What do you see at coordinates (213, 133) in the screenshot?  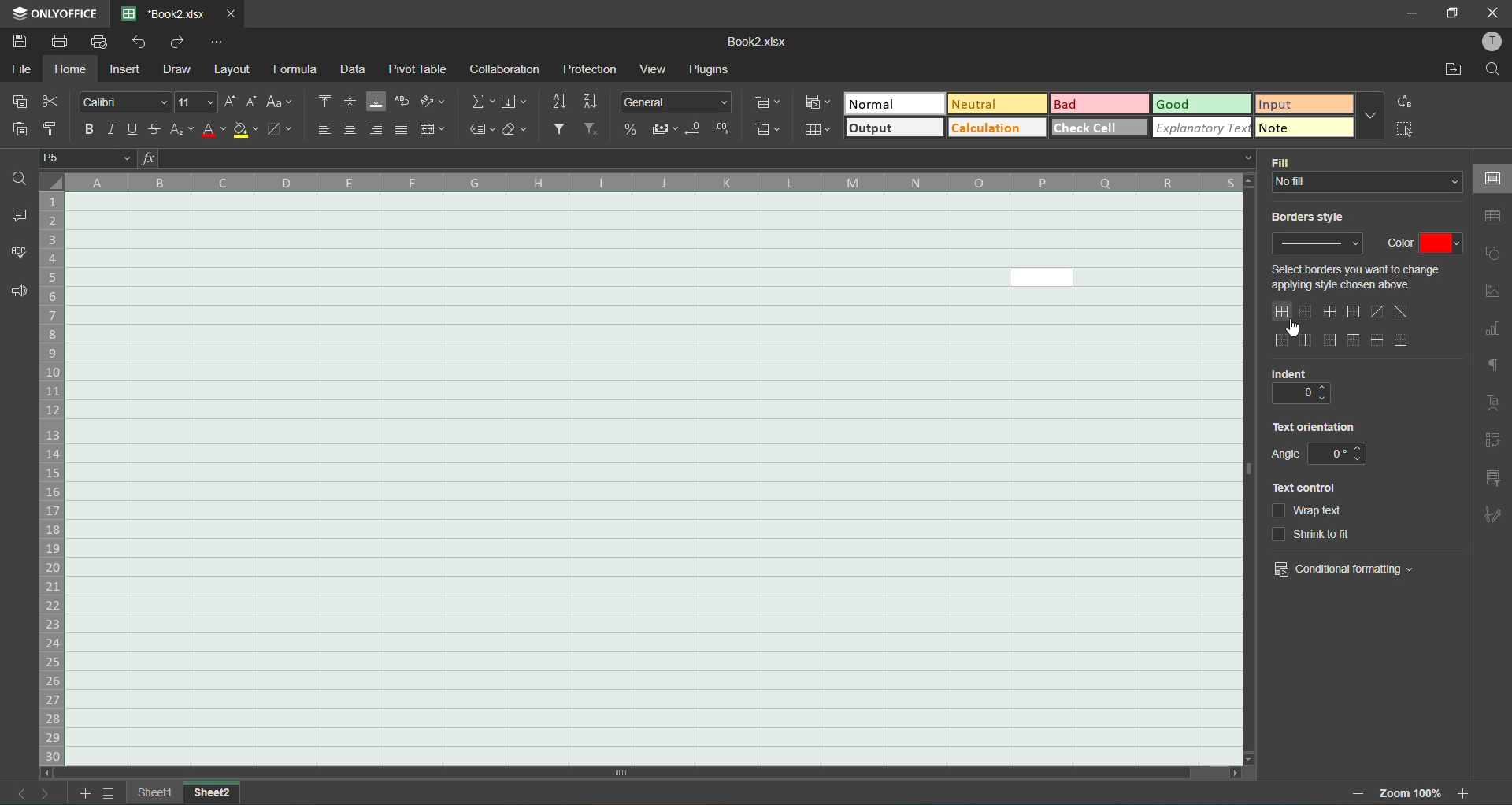 I see `font color` at bounding box center [213, 133].